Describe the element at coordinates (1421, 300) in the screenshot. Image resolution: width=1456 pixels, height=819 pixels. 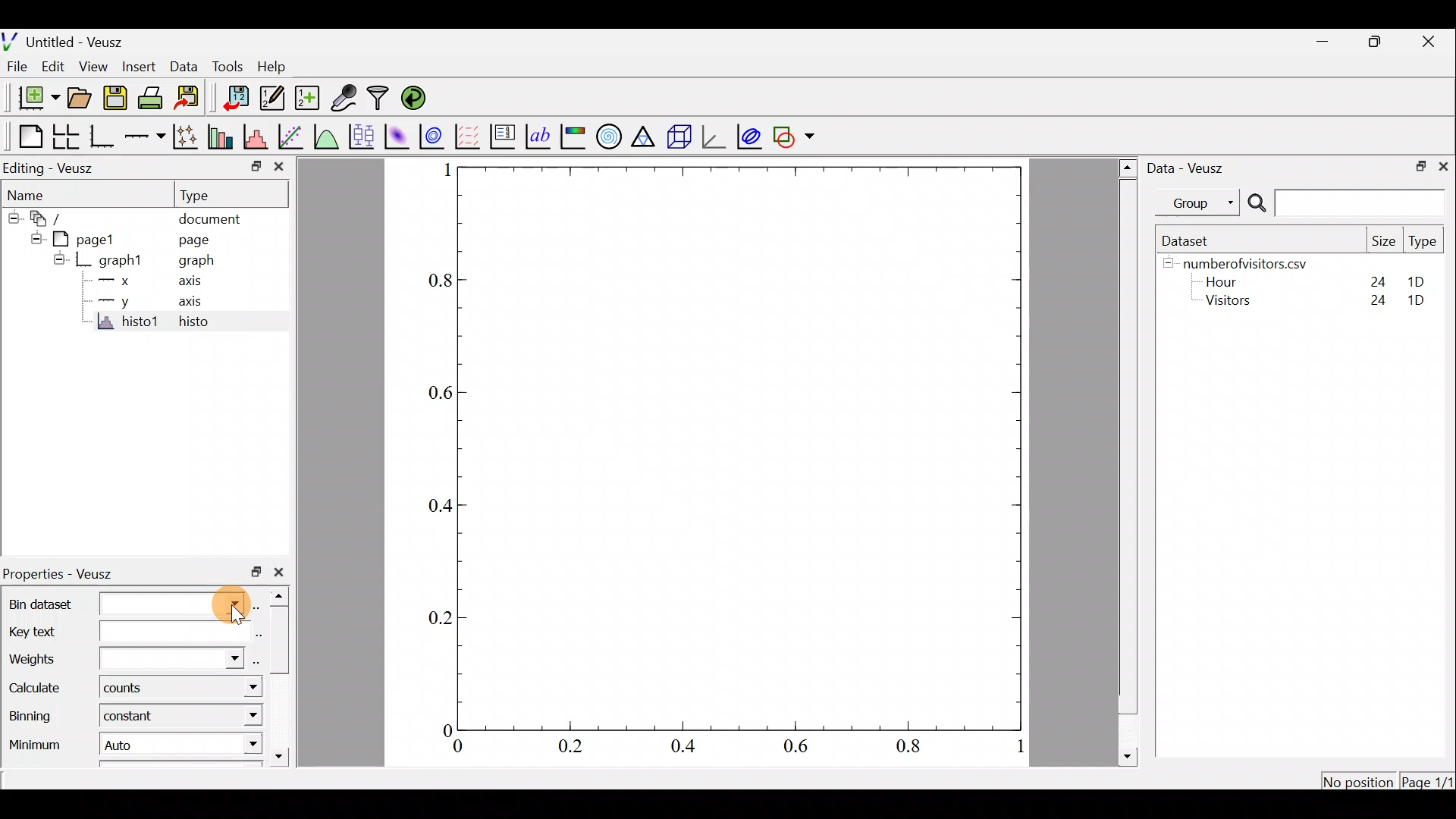
I see `1D` at that location.